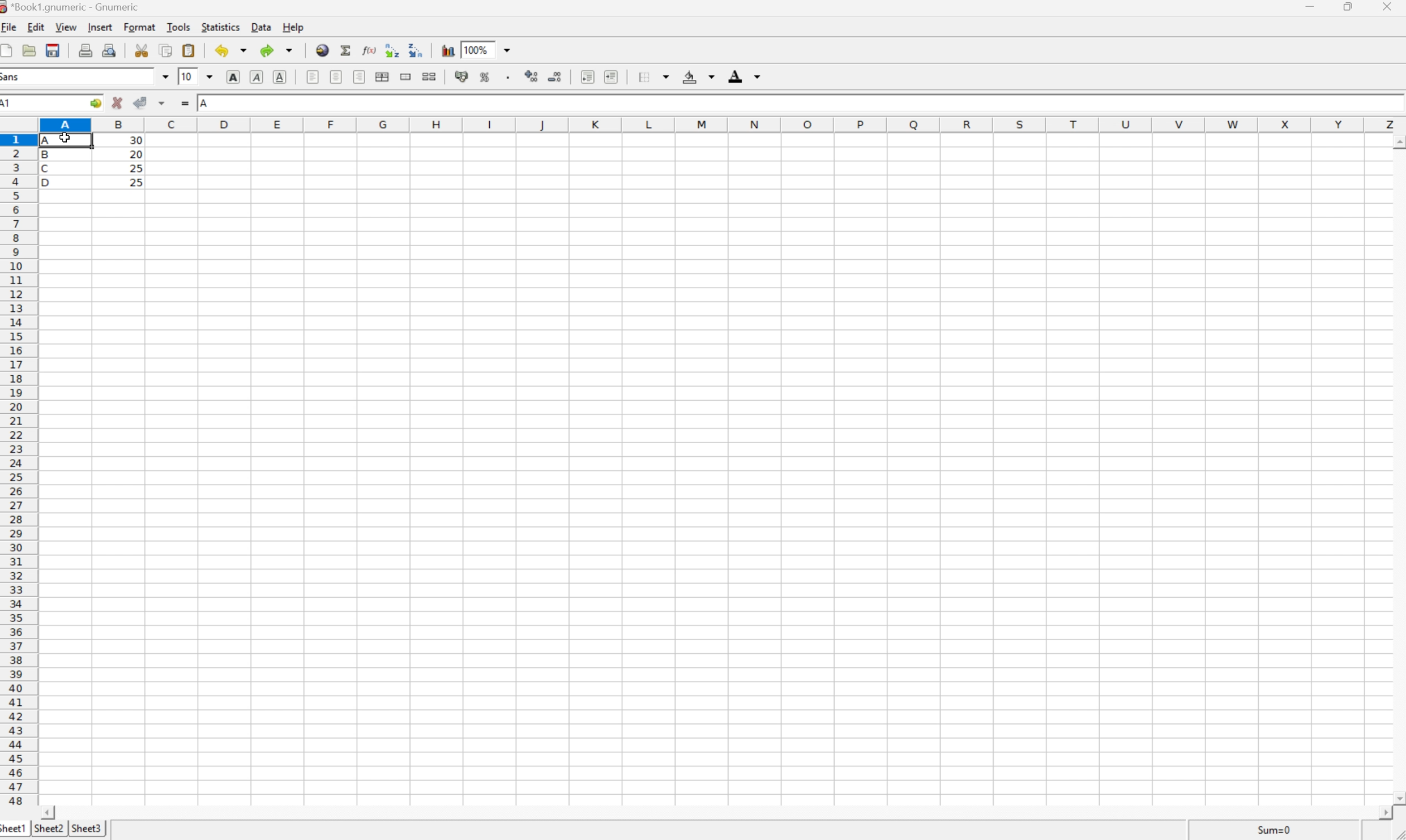  I want to click on Insert a hyperlink, so click(323, 50).